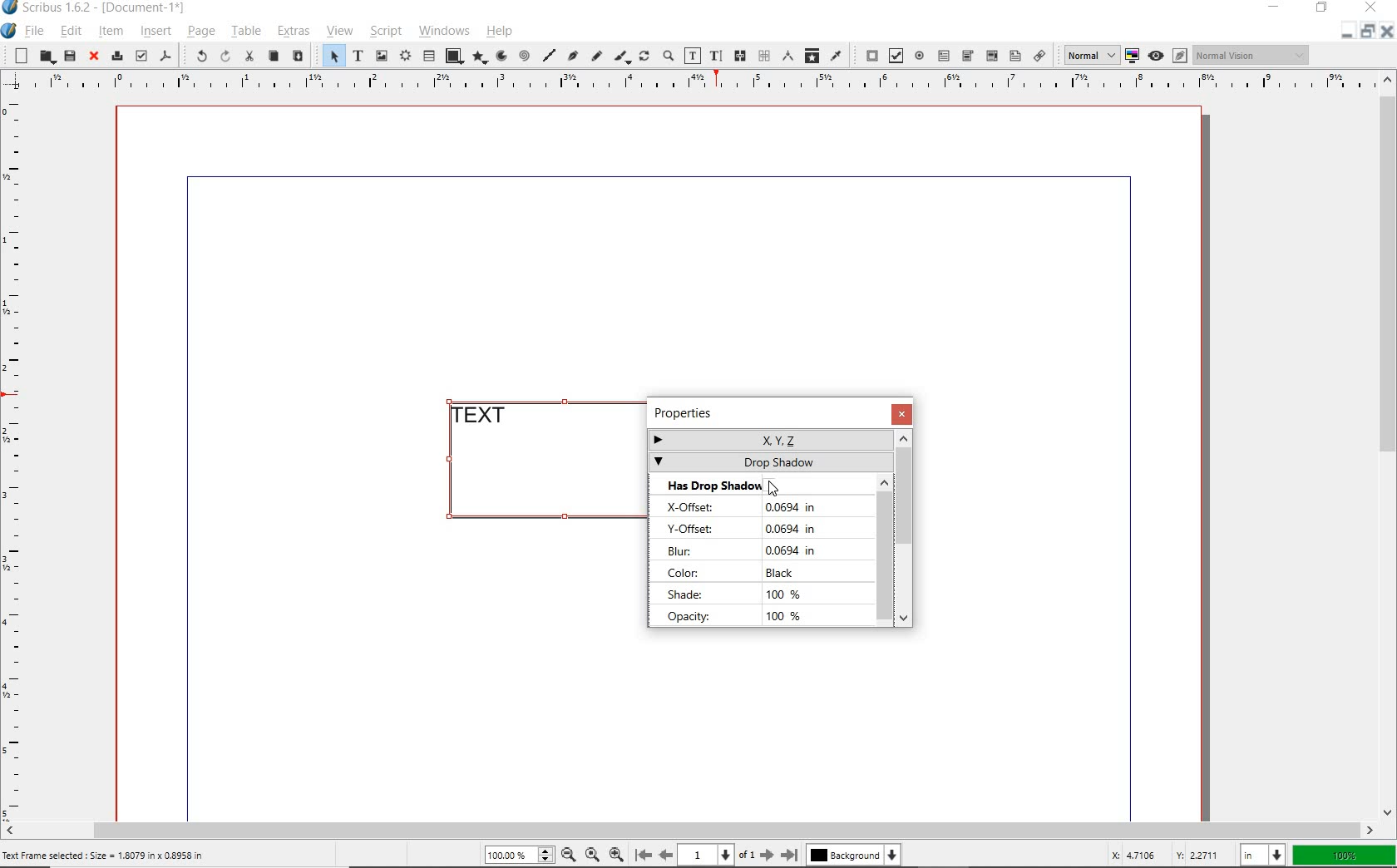  What do you see at coordinates (1041, 57) in the screenshot?
I see `link annotation` at bounding box center [1041, 57].